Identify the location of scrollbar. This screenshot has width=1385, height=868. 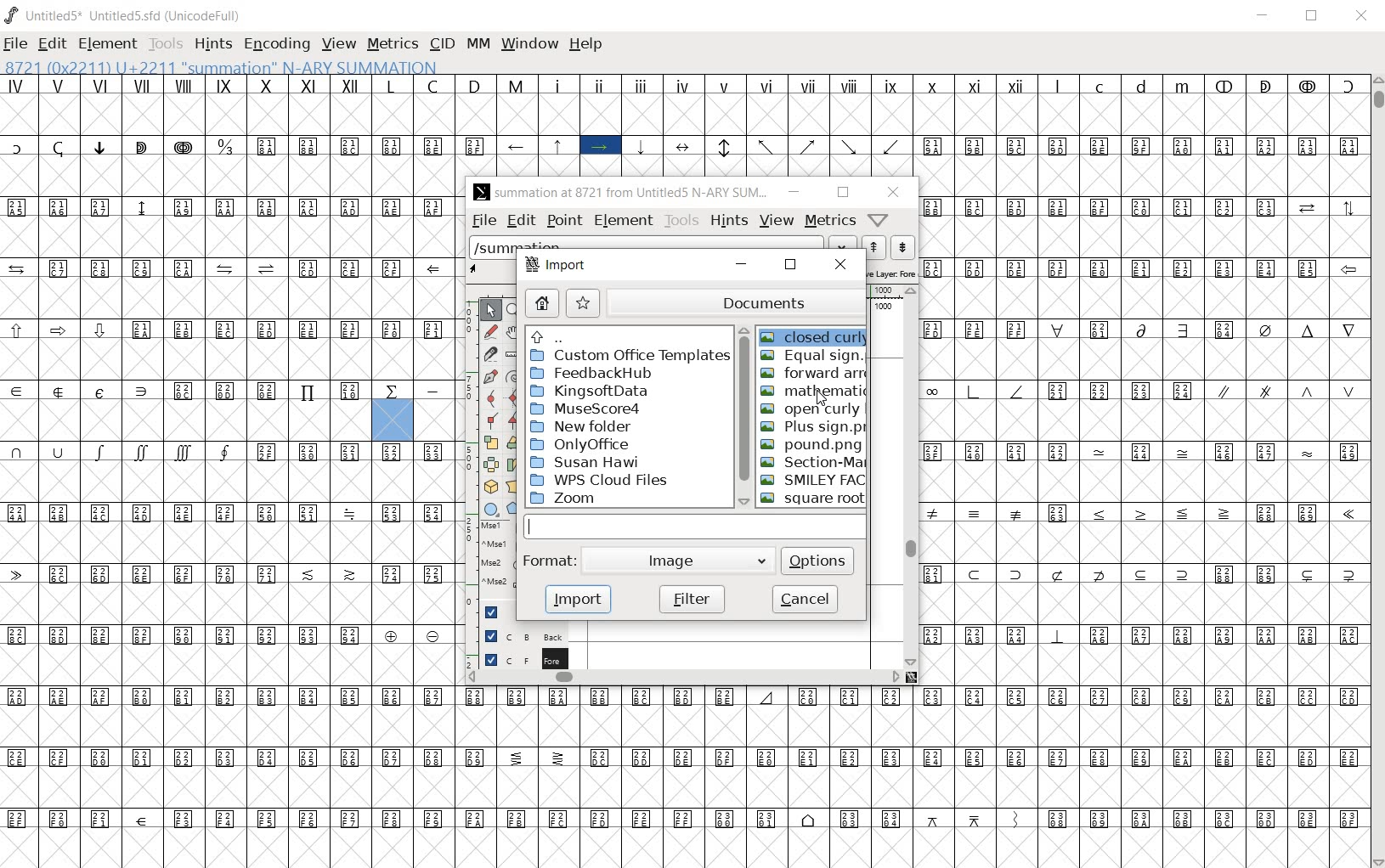
(684, 677).